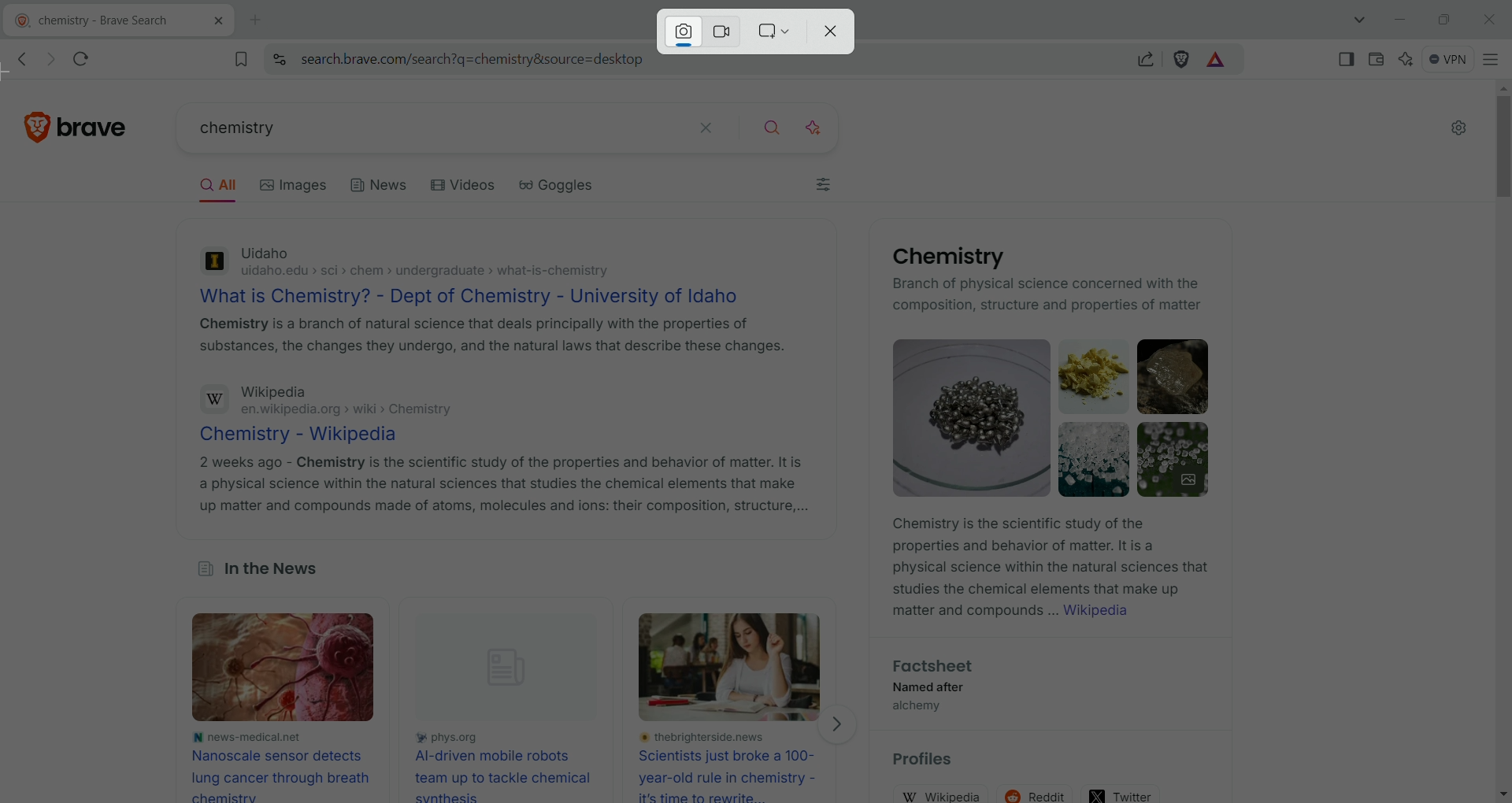  I want to click on Uidaho uidaho.edu › sci › chem › undergraduate › what-is-chemistry What is Chemistry? - Dept of Chemistry - University of Idaho, so click(474, 274).